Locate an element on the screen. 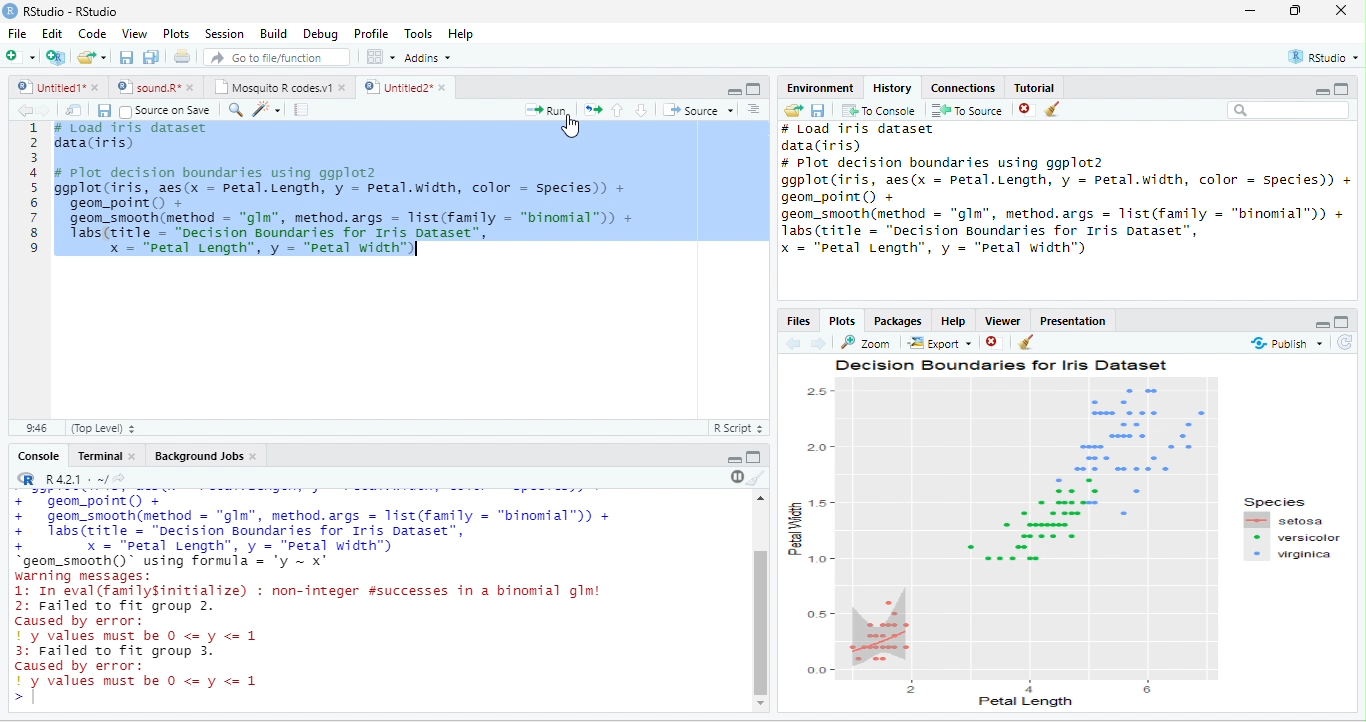 Image resolution: width=1366 pixels, height=722 pixels. save is located at coordinates (817, 111).